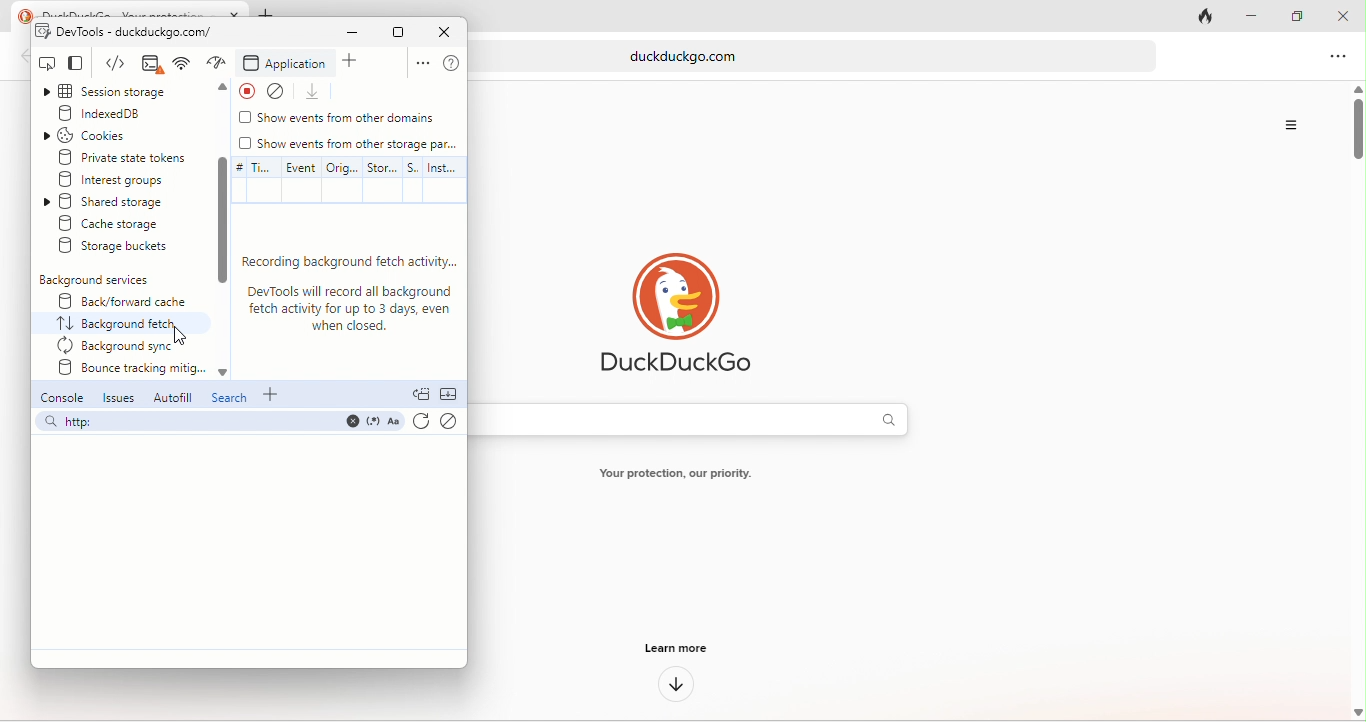 Image resolution: width=1366 pixels, height=722 pixels. I want to click on doc quick view, so click(421, 395).